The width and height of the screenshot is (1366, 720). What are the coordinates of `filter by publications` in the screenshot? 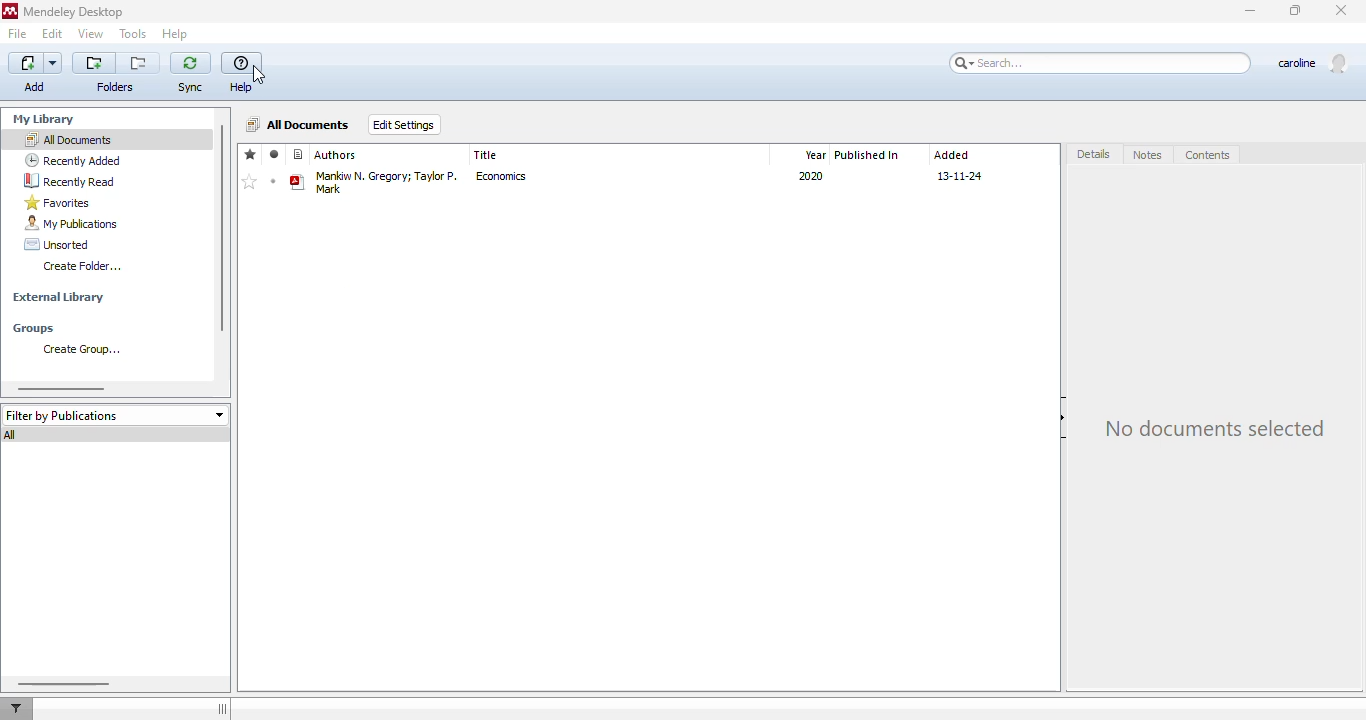 It's located at (115, 415).